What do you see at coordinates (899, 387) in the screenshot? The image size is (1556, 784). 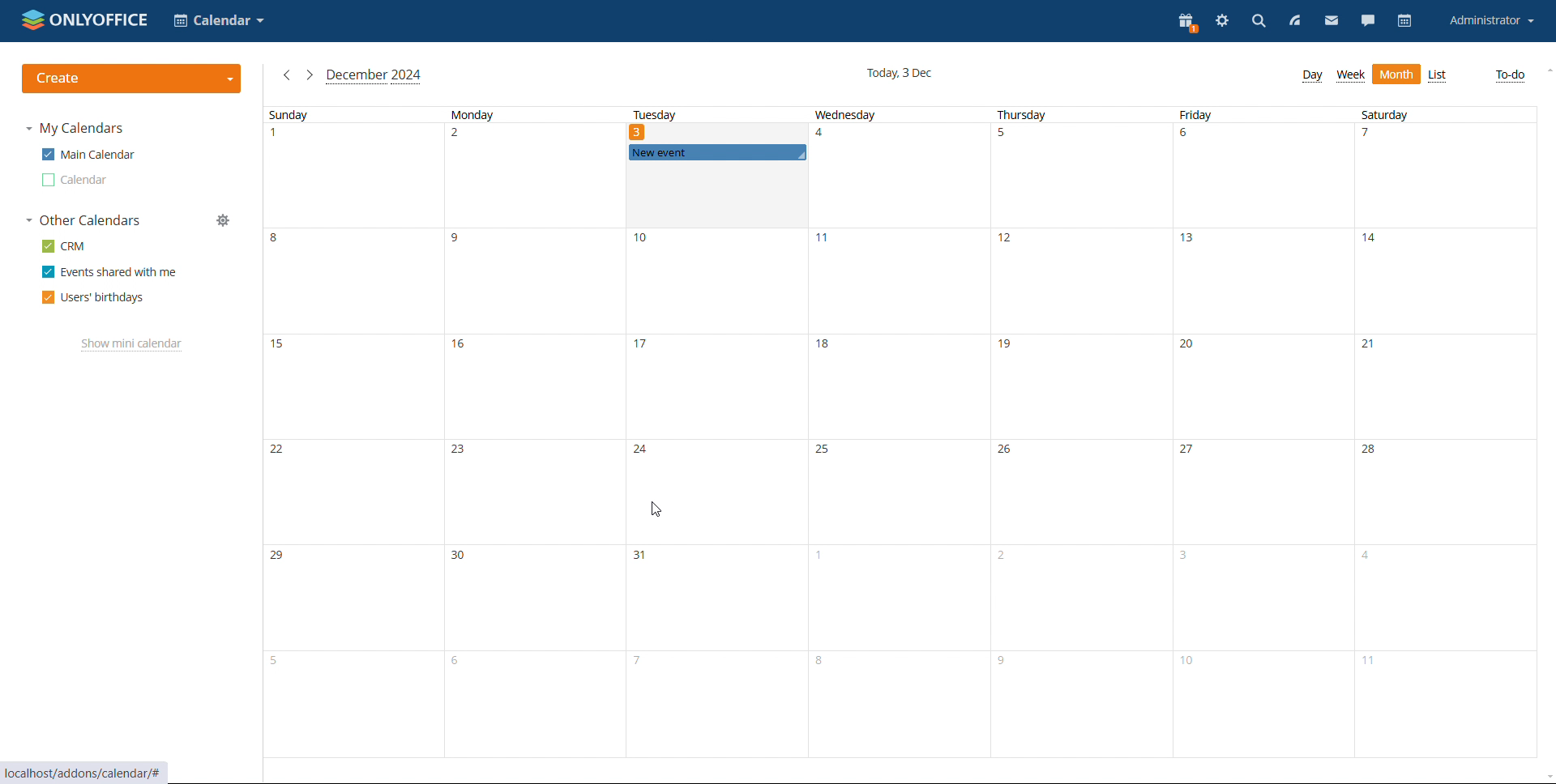 I see `date` at bounding box center [899, 387].